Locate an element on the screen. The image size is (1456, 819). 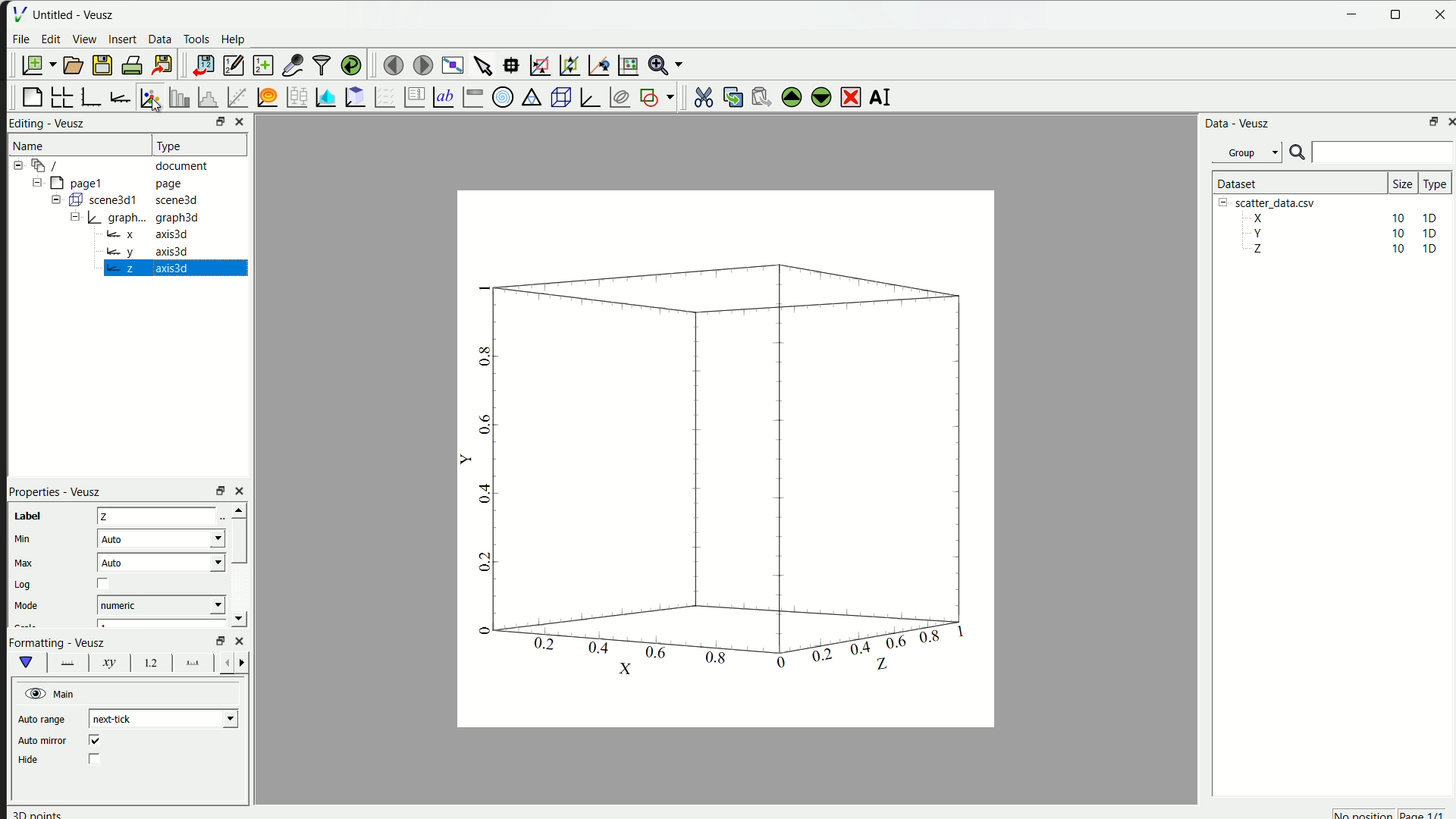
= ( scene3d1  scene3d is located at coordinates (128, 199).